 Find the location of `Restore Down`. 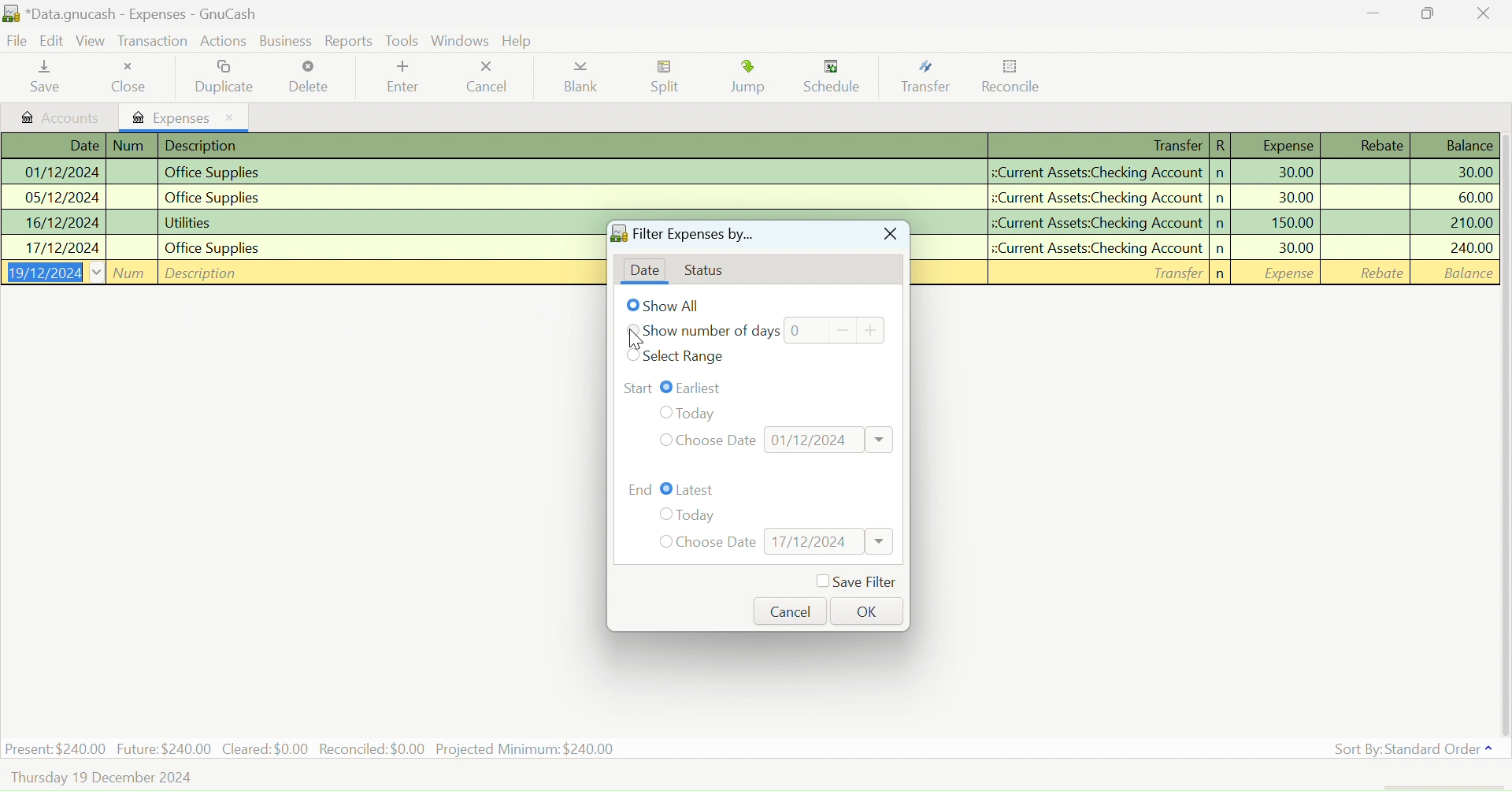

Restore Down is located at coordinates (1373, 13).